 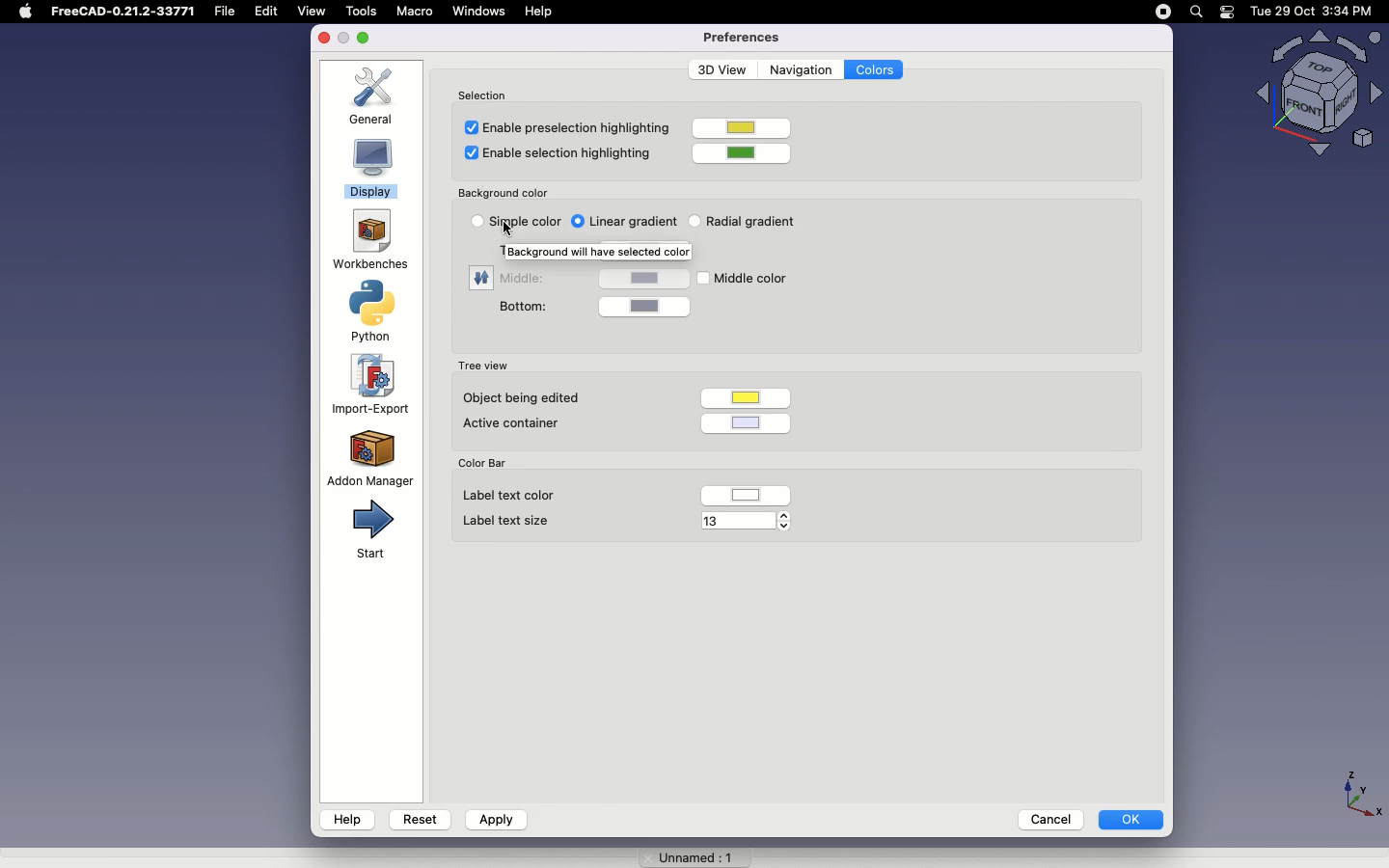 What do you see at coordinates (688, 854) in the screenshot?
I see `Unnamed 1` at bounding box center [688, 854].